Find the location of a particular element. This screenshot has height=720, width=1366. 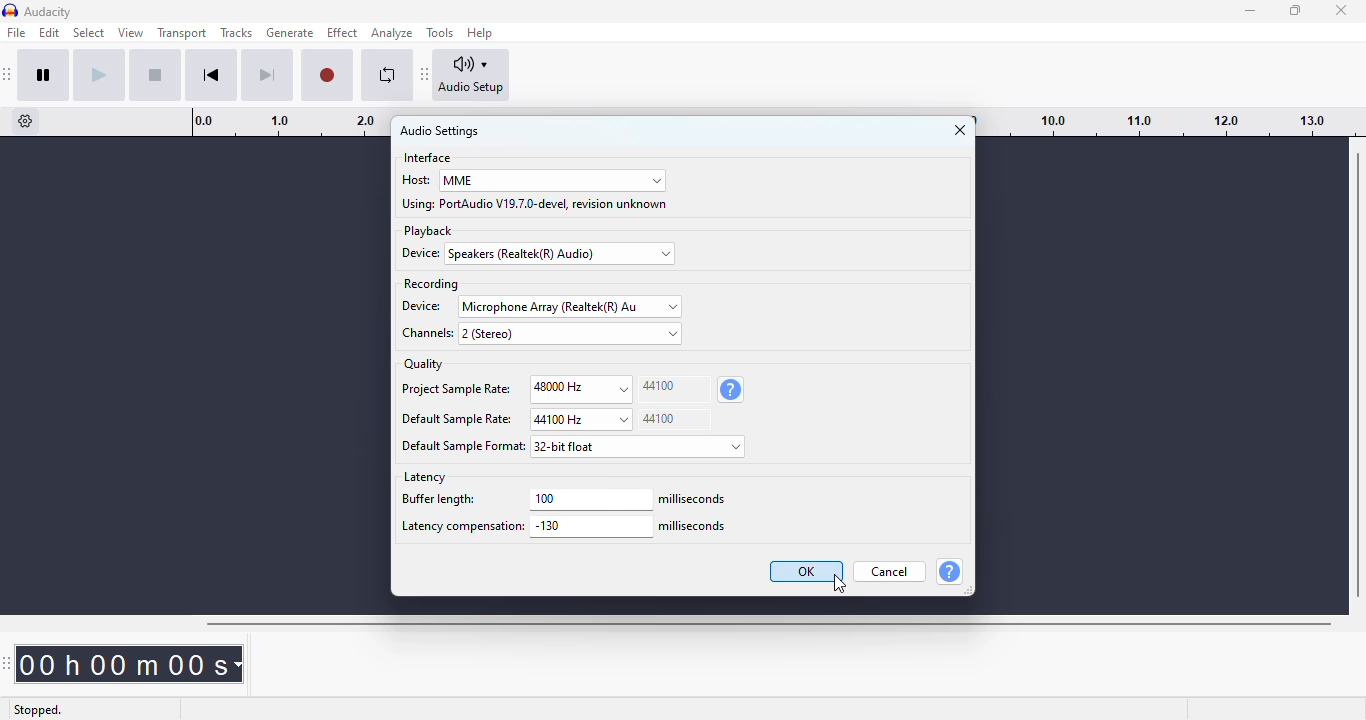

tools is located at coordinates (440, 33).